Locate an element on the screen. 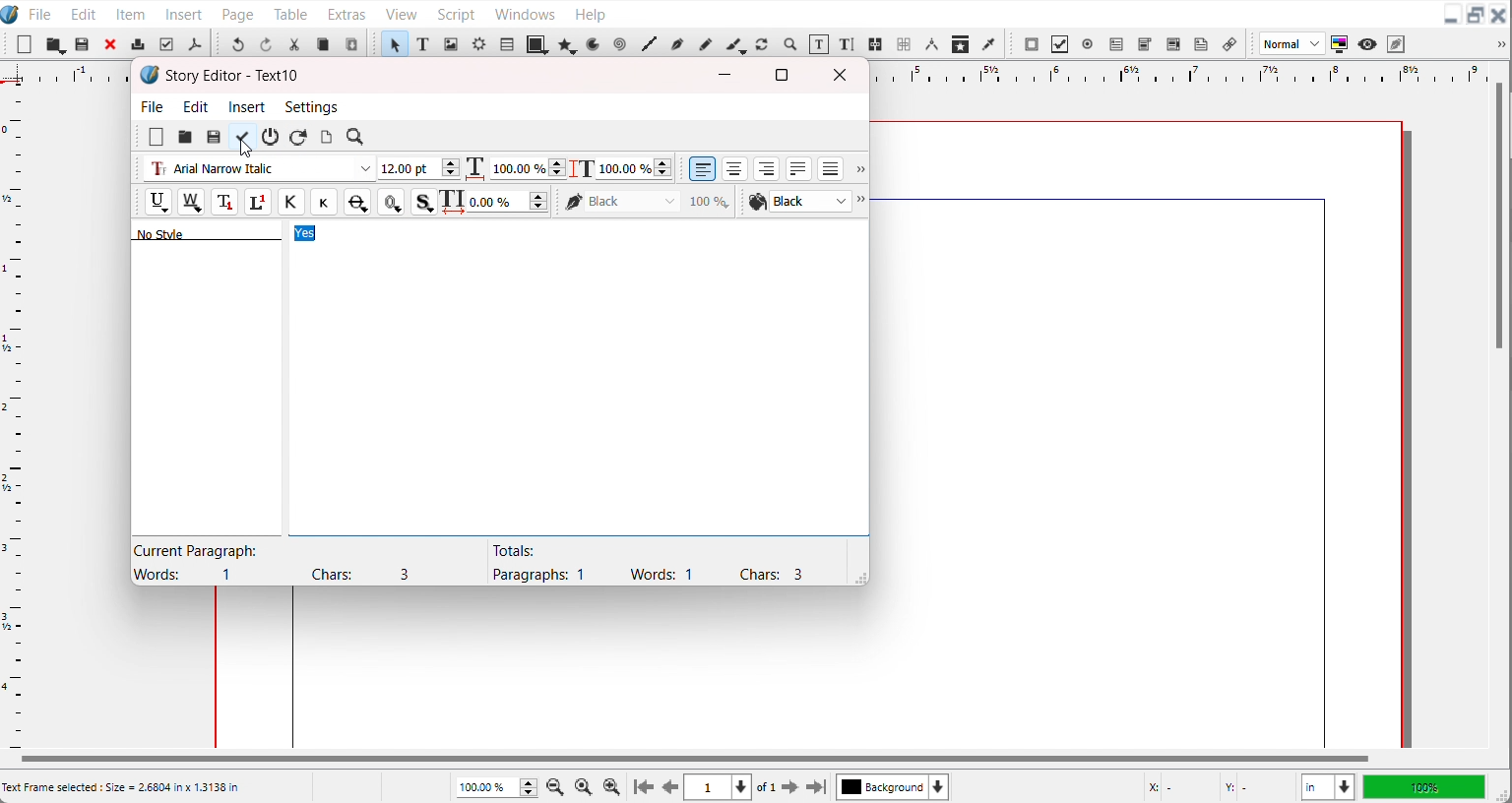 The image size is (1512, 803). Go to previous page is located at coordinates (670, 787).